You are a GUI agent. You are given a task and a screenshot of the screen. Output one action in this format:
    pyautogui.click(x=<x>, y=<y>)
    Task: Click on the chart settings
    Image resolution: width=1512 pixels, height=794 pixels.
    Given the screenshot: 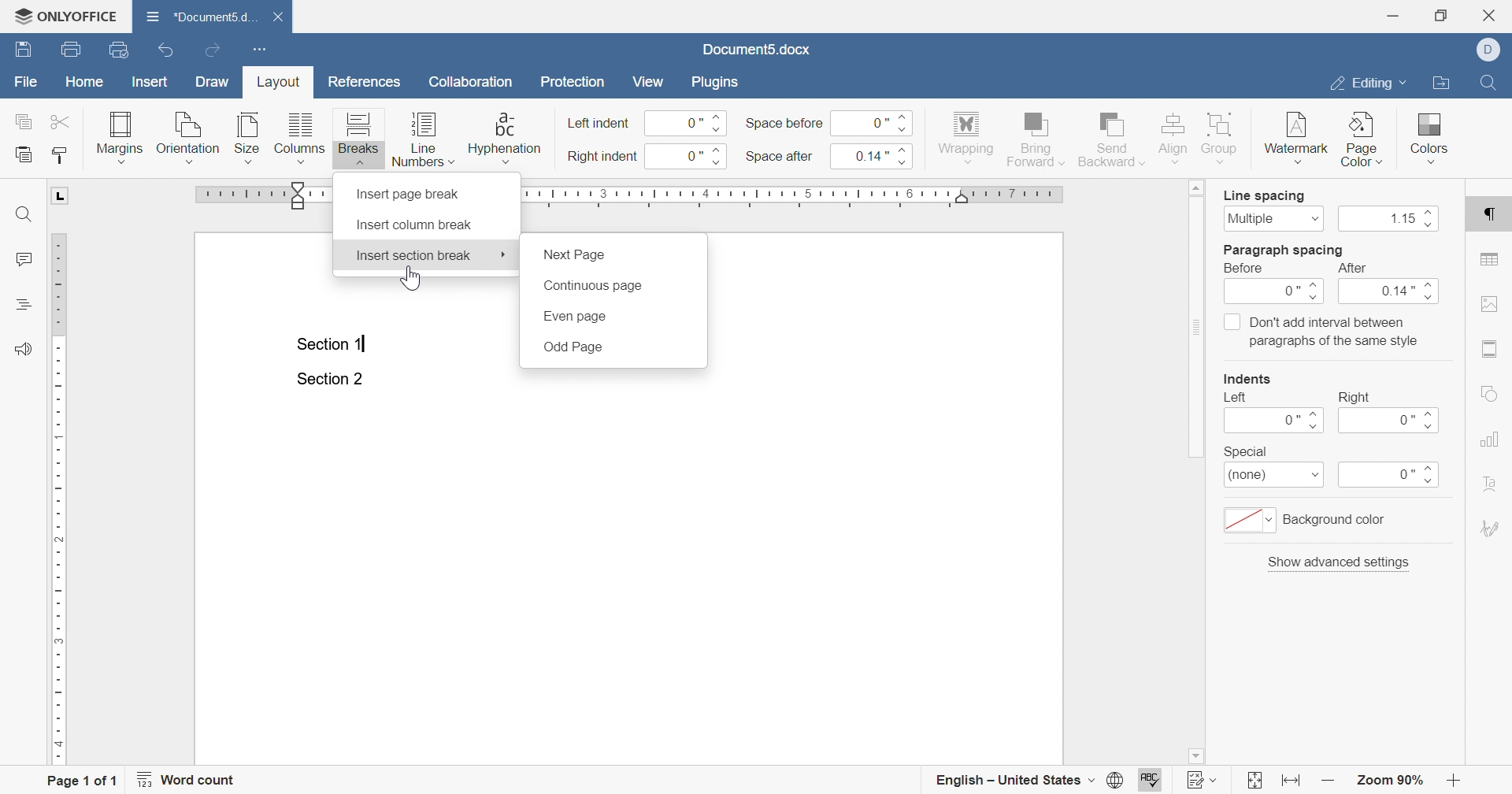 What is the action you would take?
    pyautogui.click(x=1488, y=439)
    